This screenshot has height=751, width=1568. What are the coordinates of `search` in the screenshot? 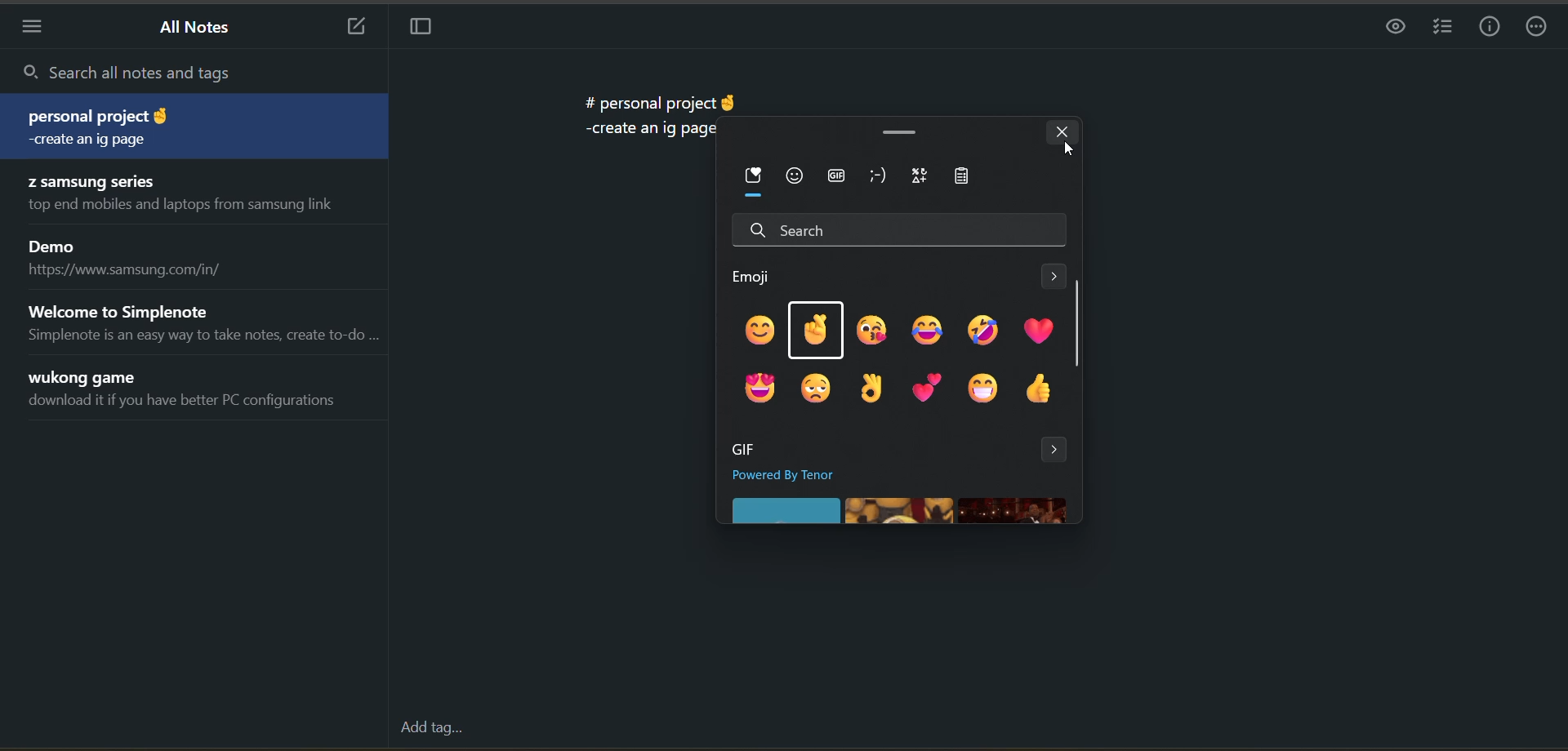 It's located at (898, 228).